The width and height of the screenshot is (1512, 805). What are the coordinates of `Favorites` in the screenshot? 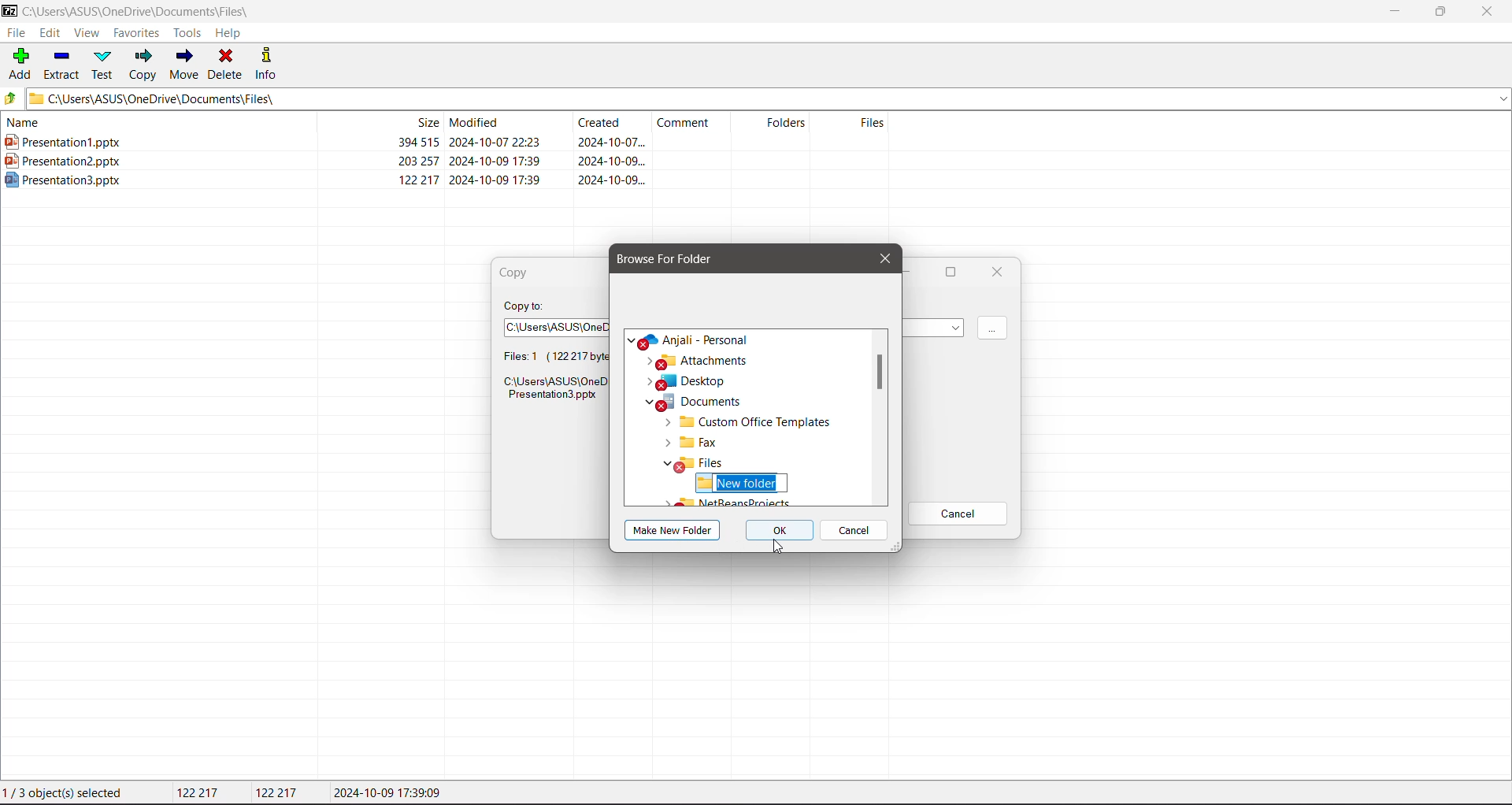 It's located at (137, 32).